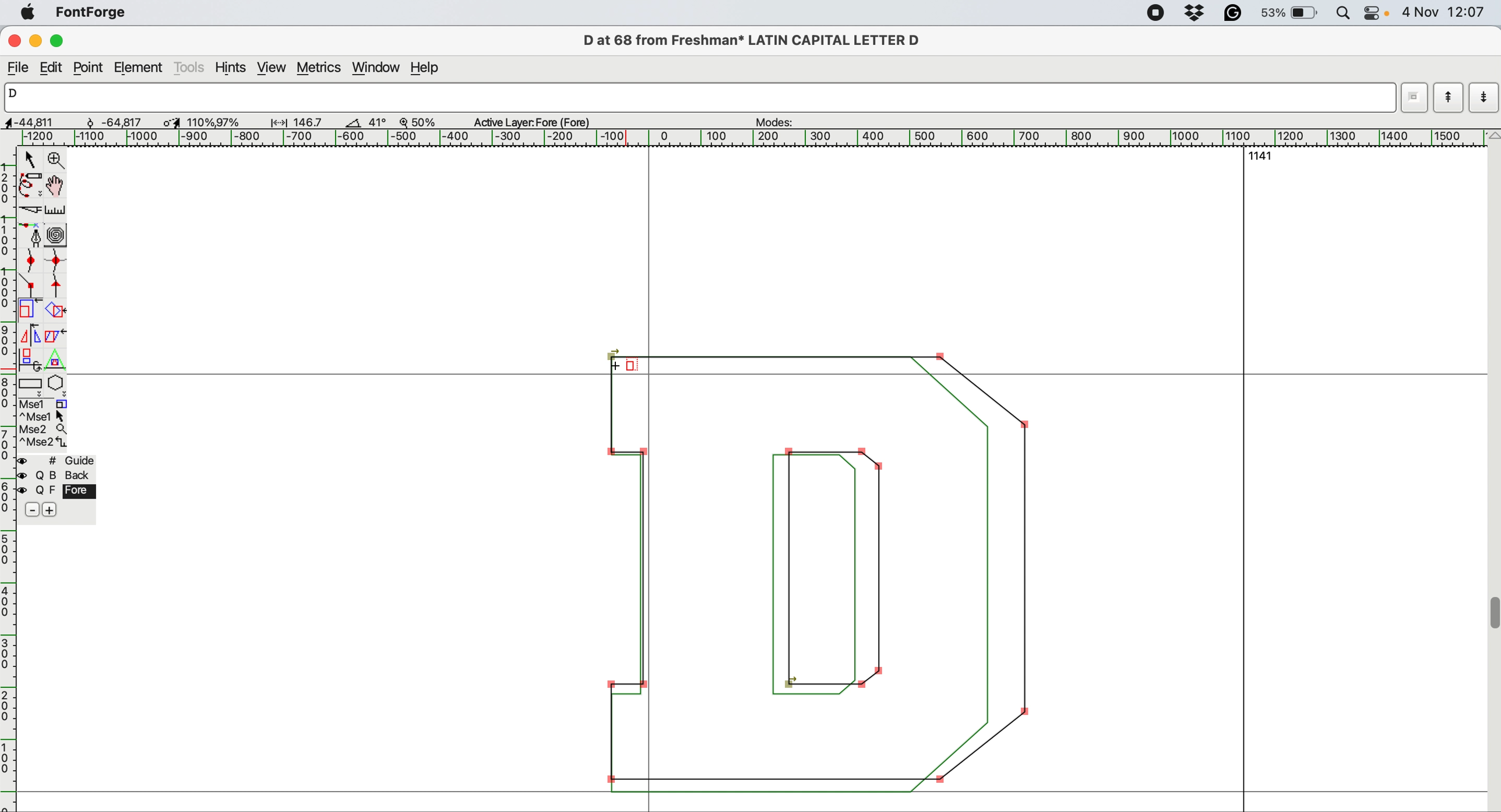 The image size is (1501, 812). What do you see at coordinates (19, 68) in the screenshot?
I see `file` at bounding box center [19, 68].